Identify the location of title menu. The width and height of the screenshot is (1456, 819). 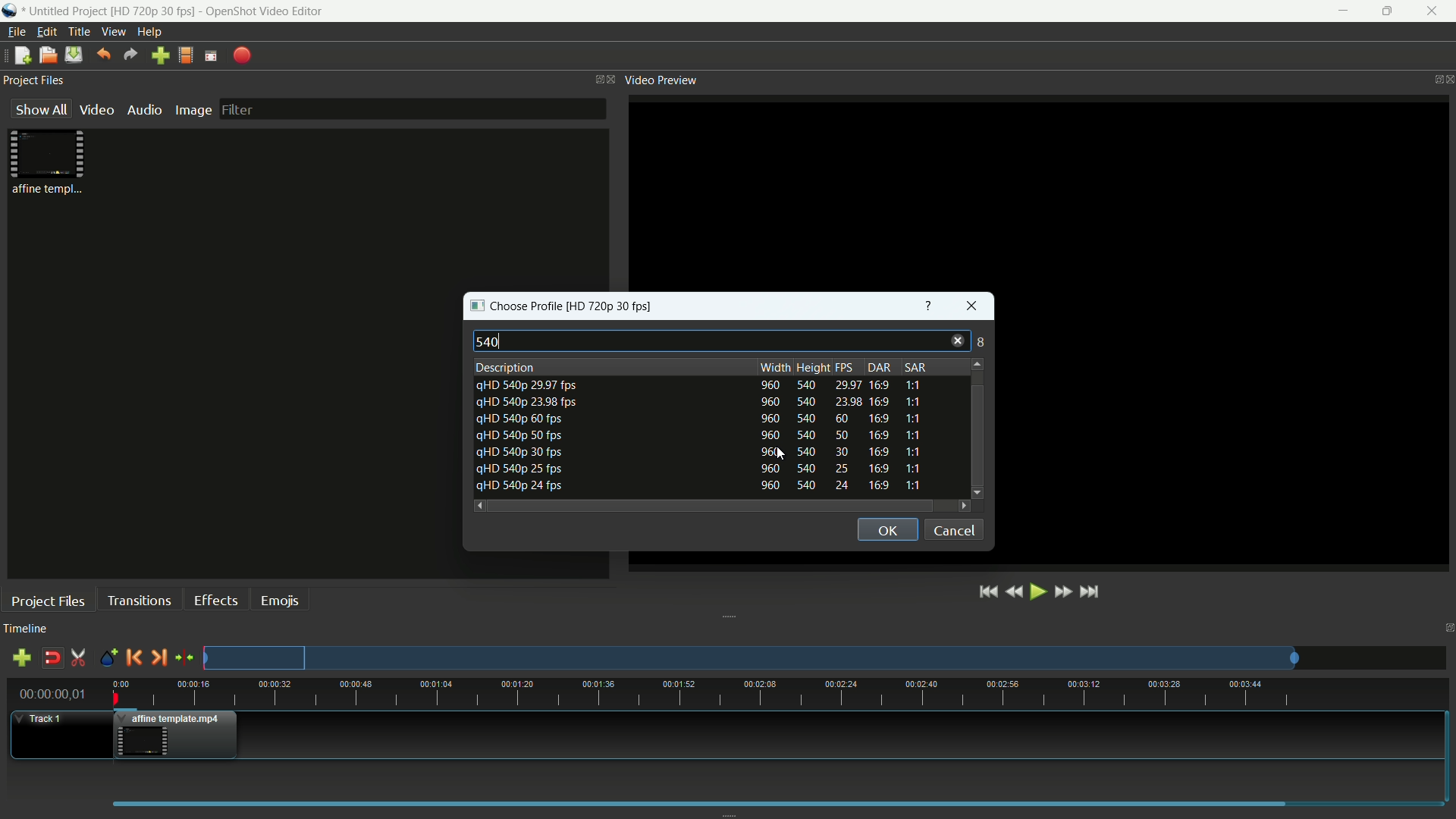
(81, 32).